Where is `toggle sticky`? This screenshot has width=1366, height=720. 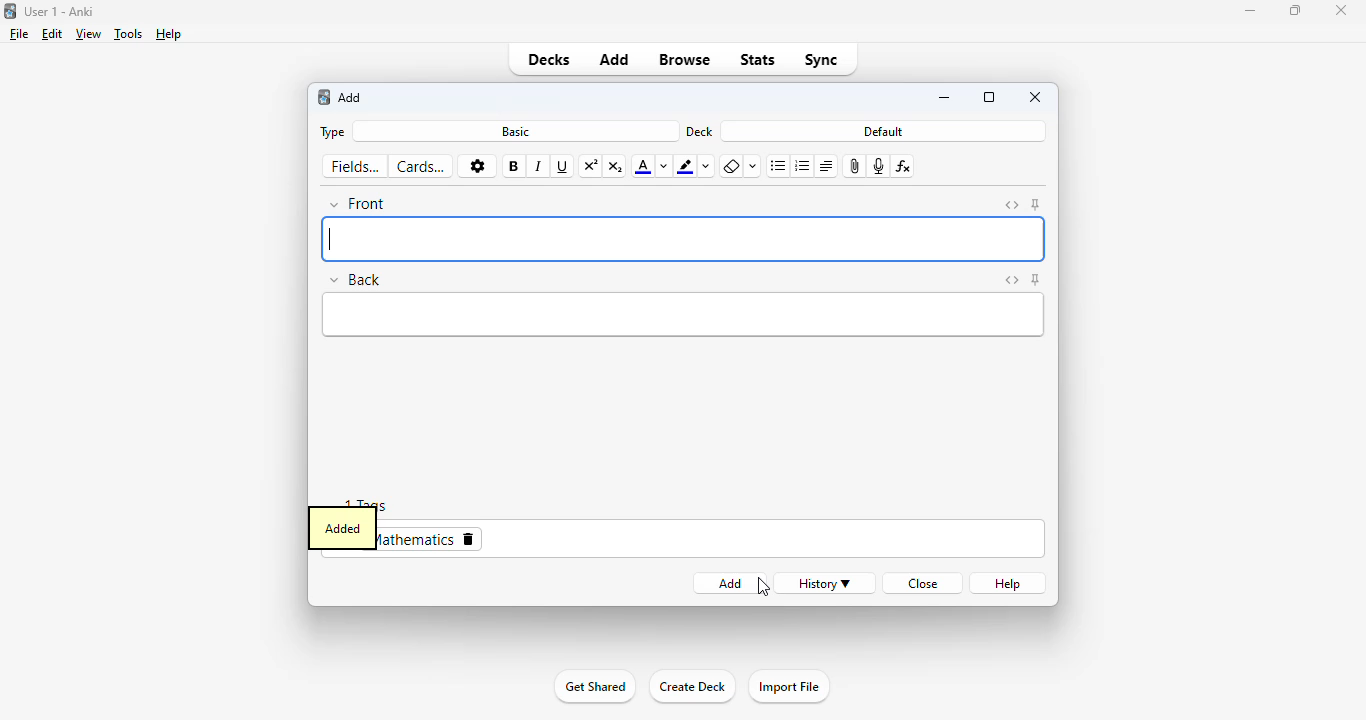
toggle sticky is located at coordinates (1036, 279).